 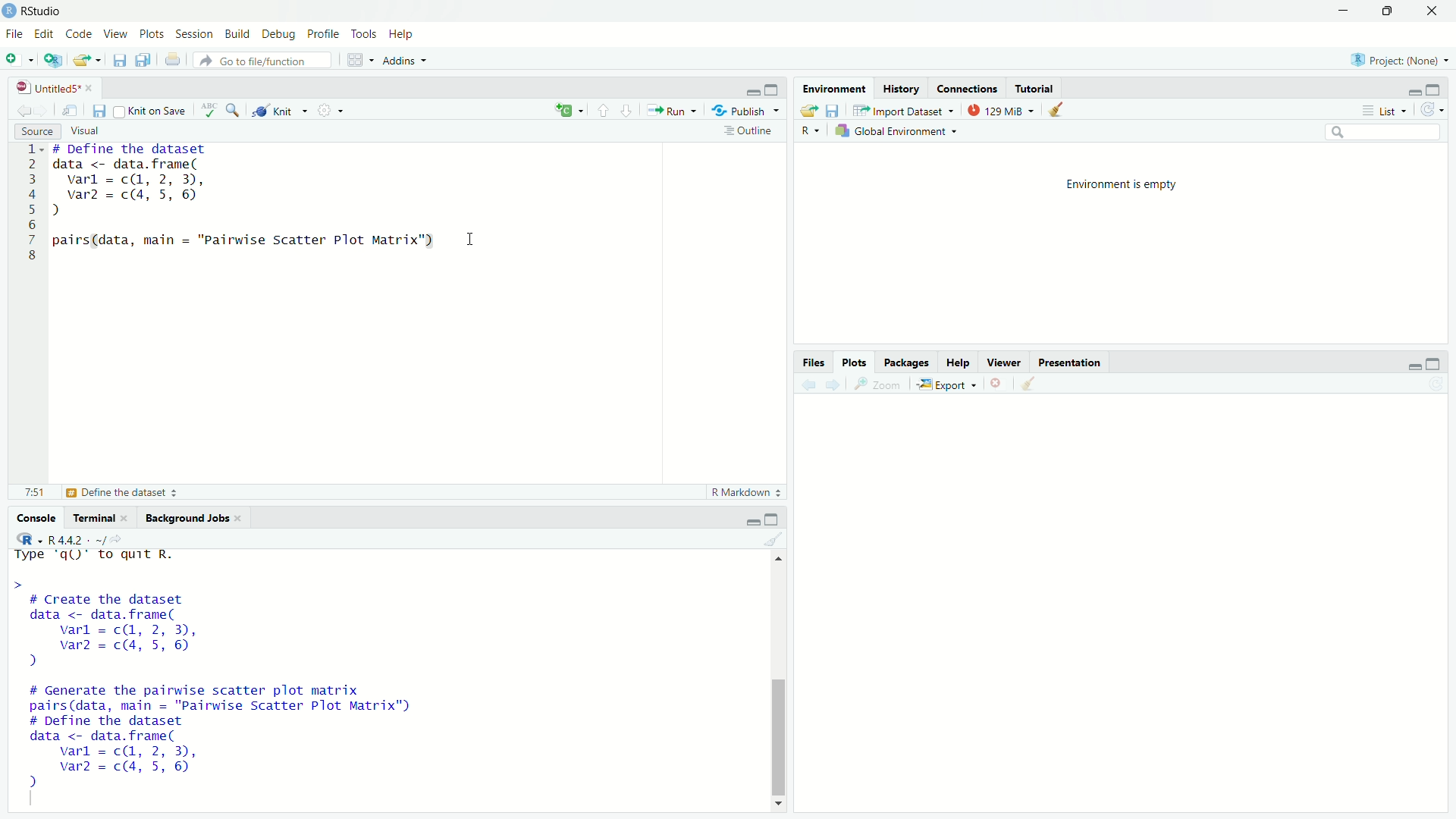 What do you see at coordinates (366, 33) in the screenshot?
I see `Tools` at bounding box center [366, 33].